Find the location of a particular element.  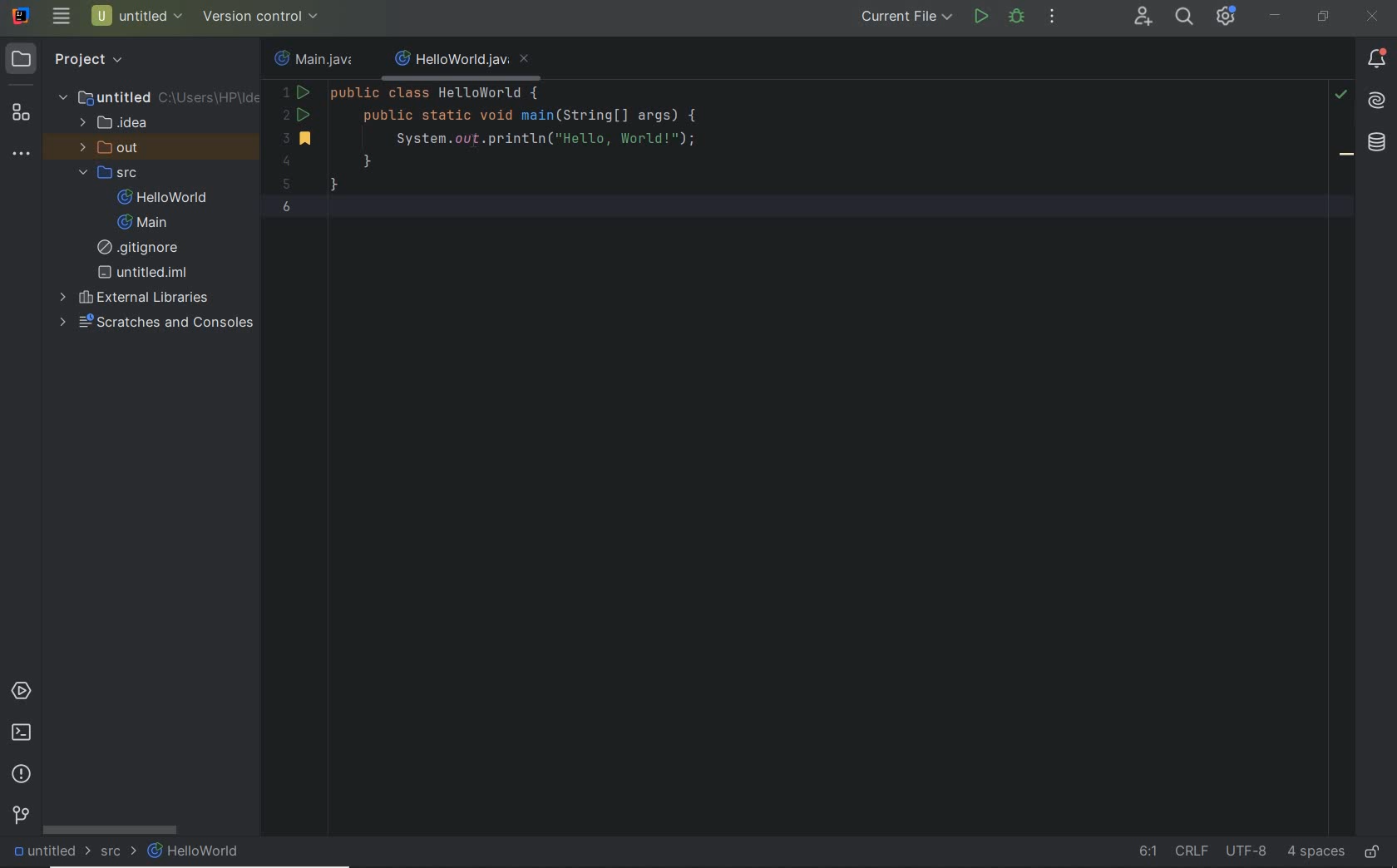

minimize is located at coordinates (1276, 16).